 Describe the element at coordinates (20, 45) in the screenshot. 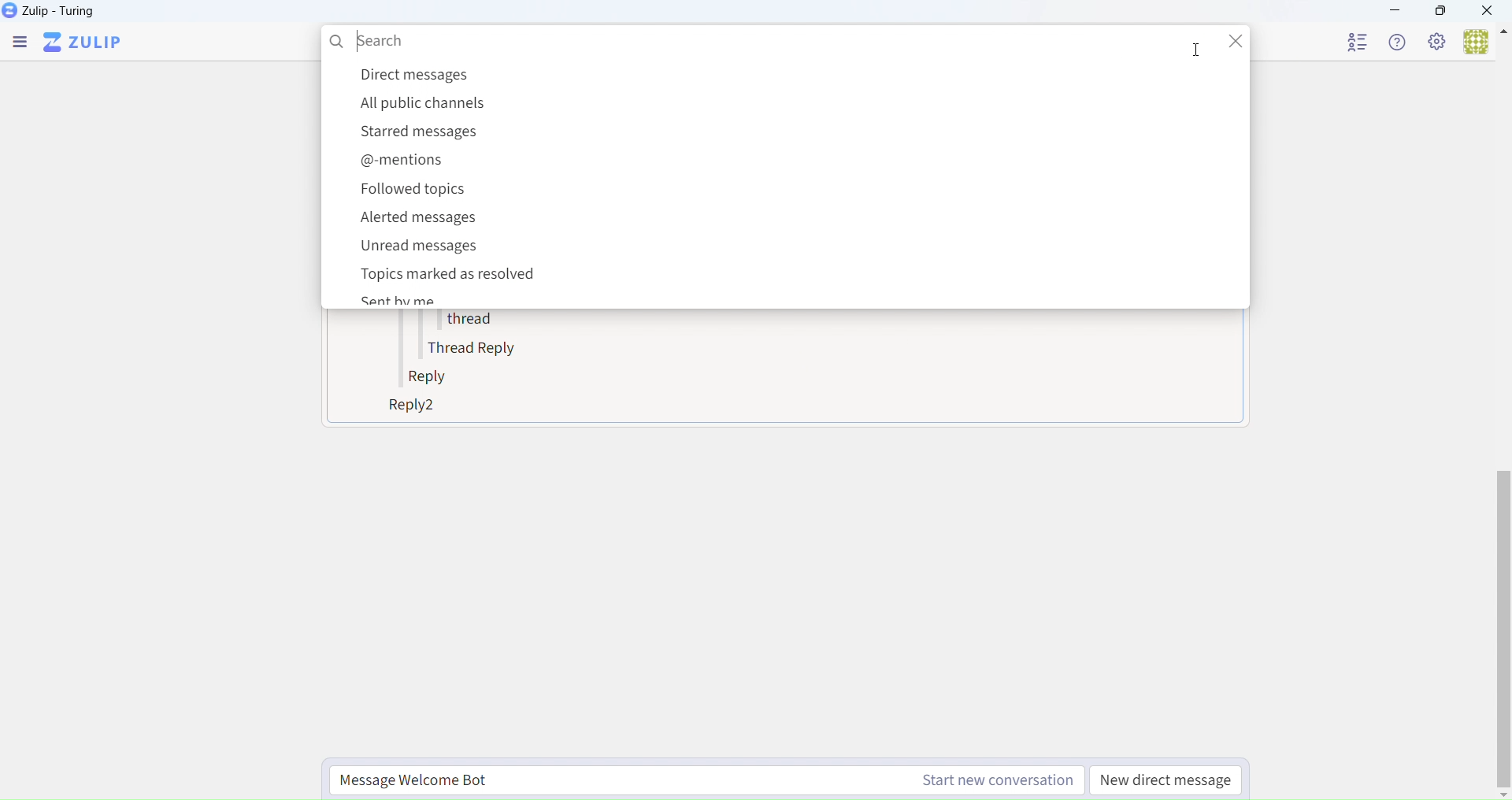

I see `Menu Bar` at that location.